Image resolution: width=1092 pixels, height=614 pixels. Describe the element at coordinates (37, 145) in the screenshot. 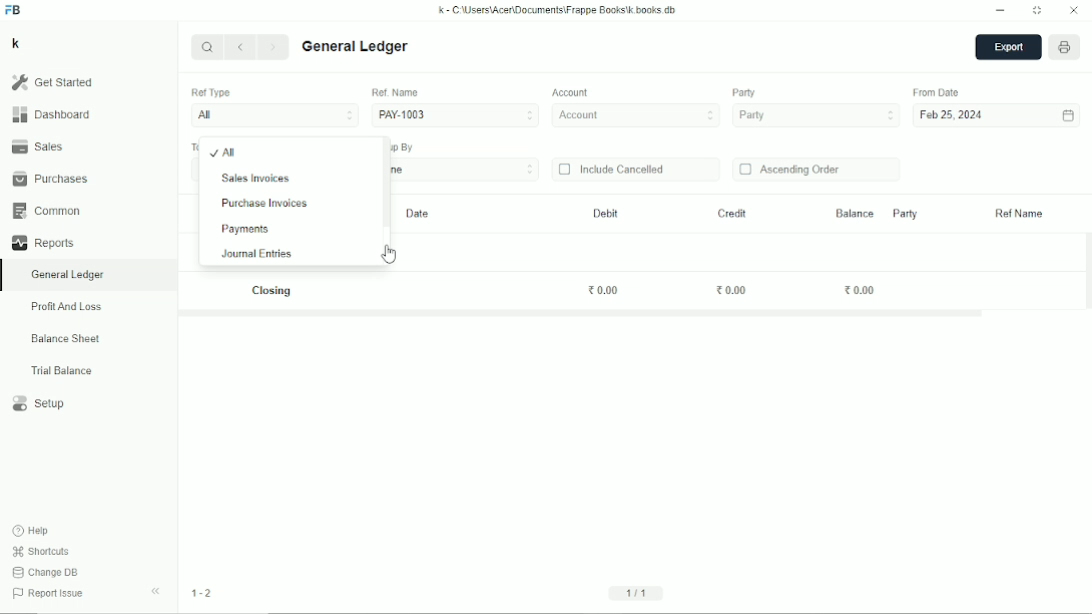

I see `Sales` at that location.